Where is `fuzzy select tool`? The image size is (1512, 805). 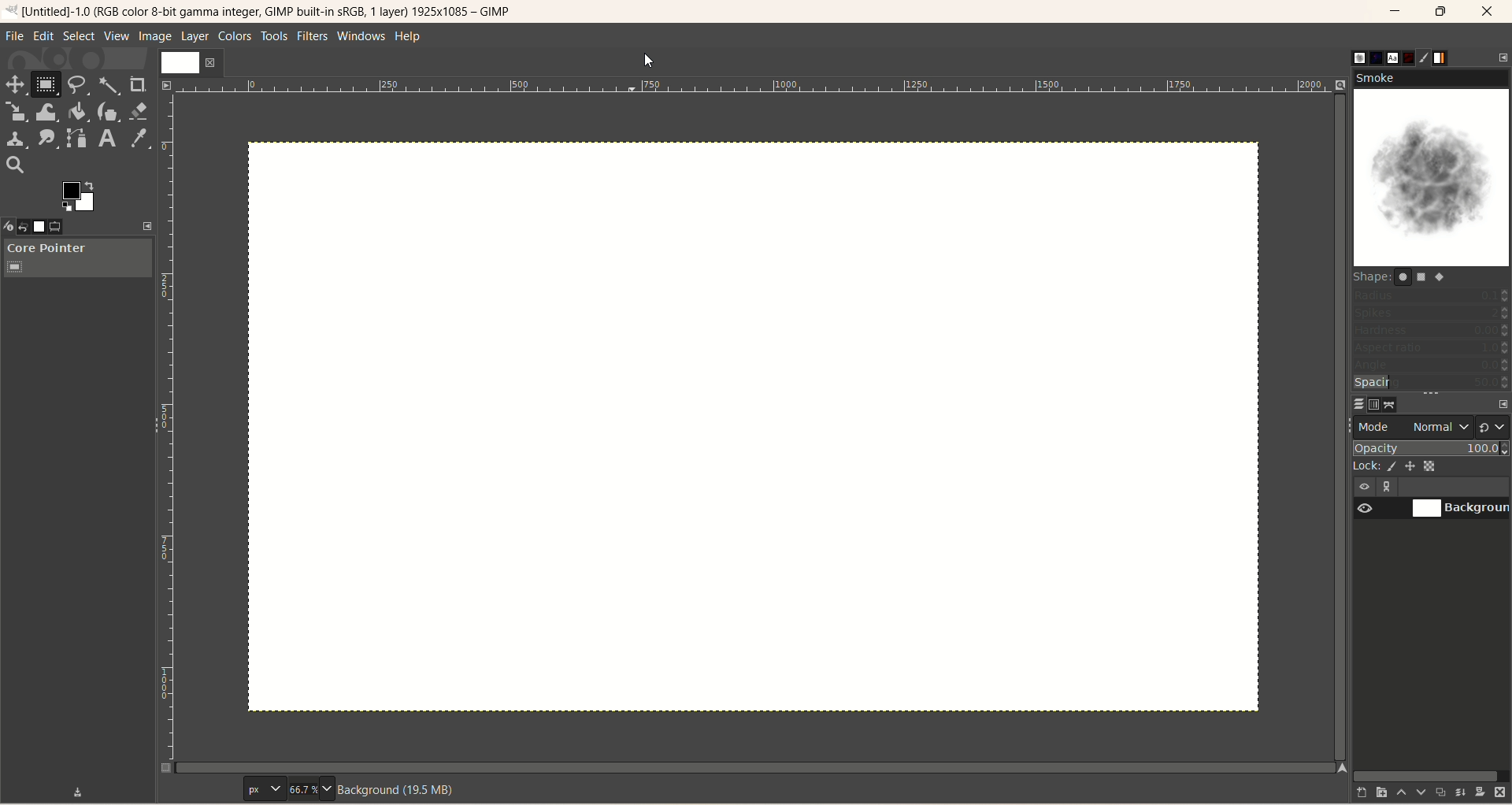 fuzzy select tool is located at coordinates (109, 85).